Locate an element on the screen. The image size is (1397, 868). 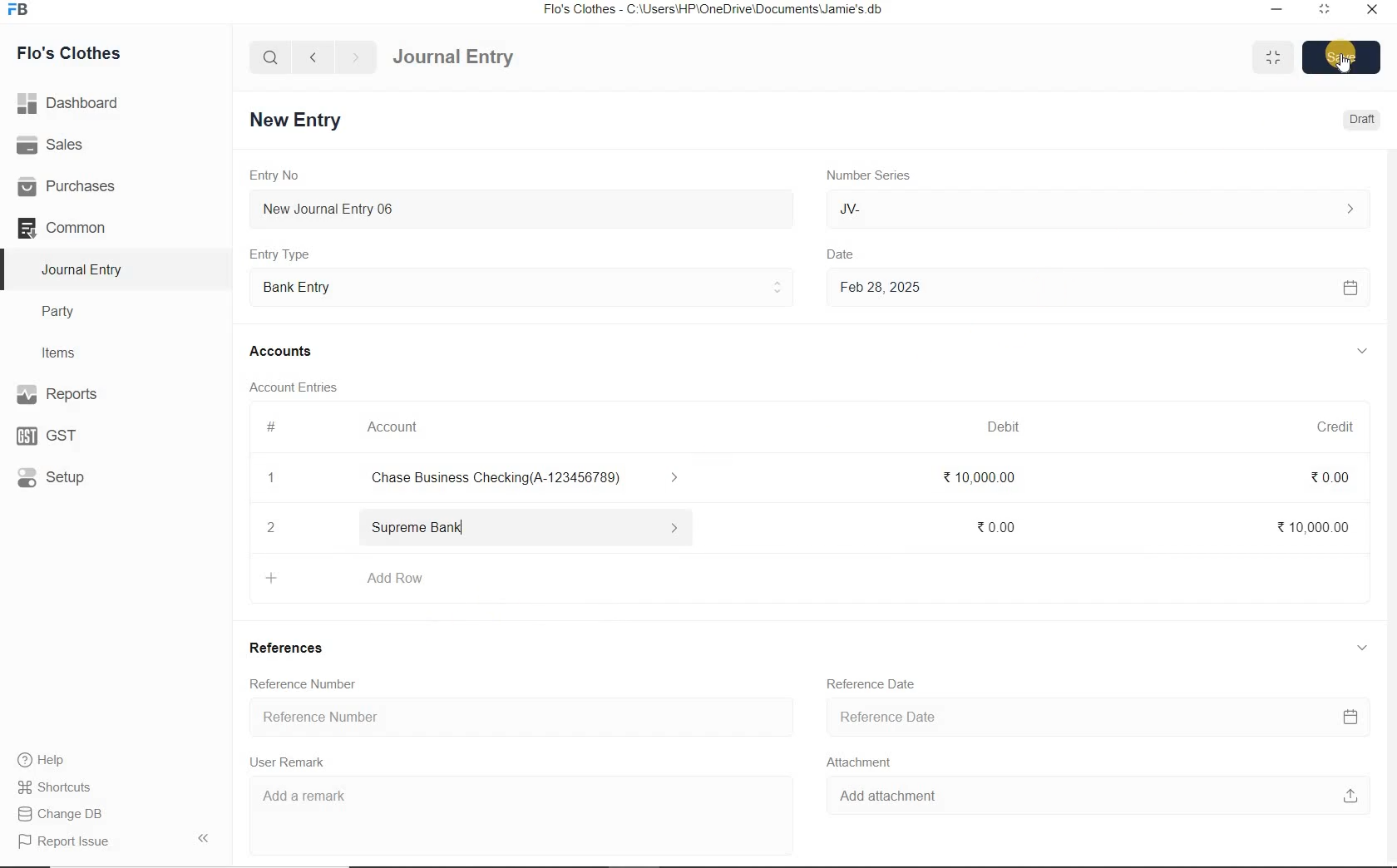
₹0.00 is located at coordinates (1340, 476).